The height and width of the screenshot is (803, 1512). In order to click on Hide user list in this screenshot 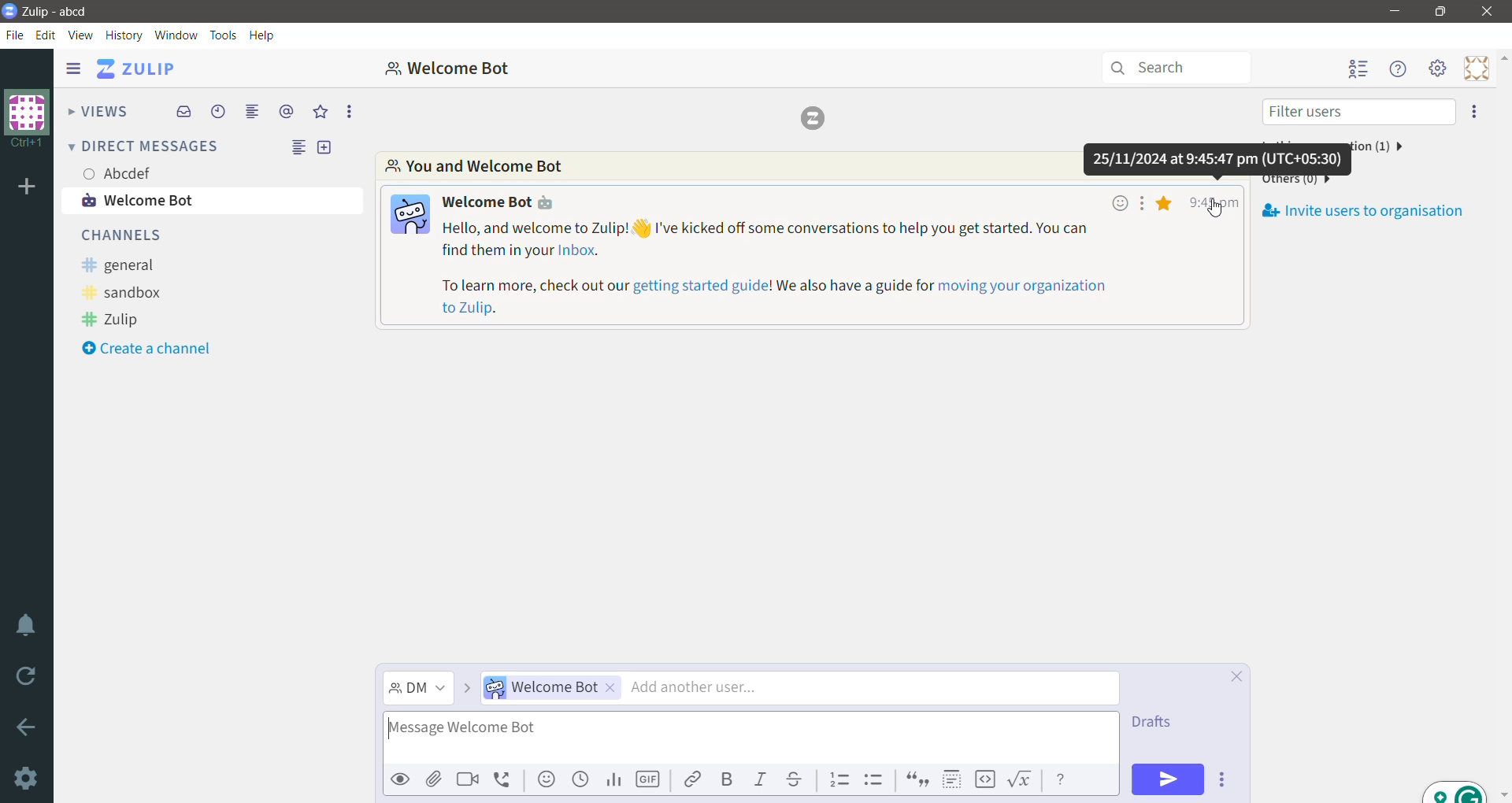, I will do `click(1358, 69)`.